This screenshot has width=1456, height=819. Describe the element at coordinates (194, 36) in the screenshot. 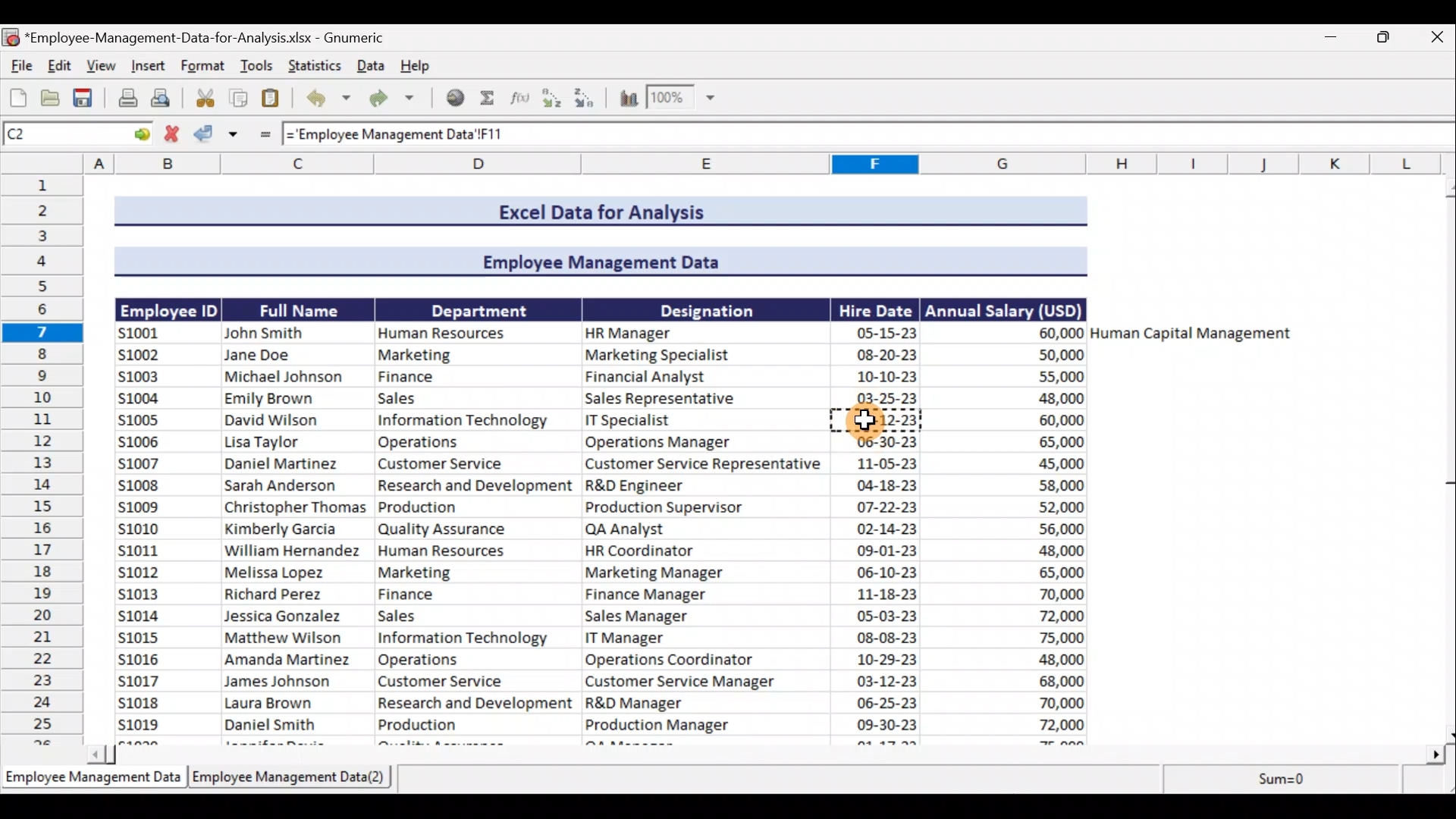

I see `Document name` at that location.